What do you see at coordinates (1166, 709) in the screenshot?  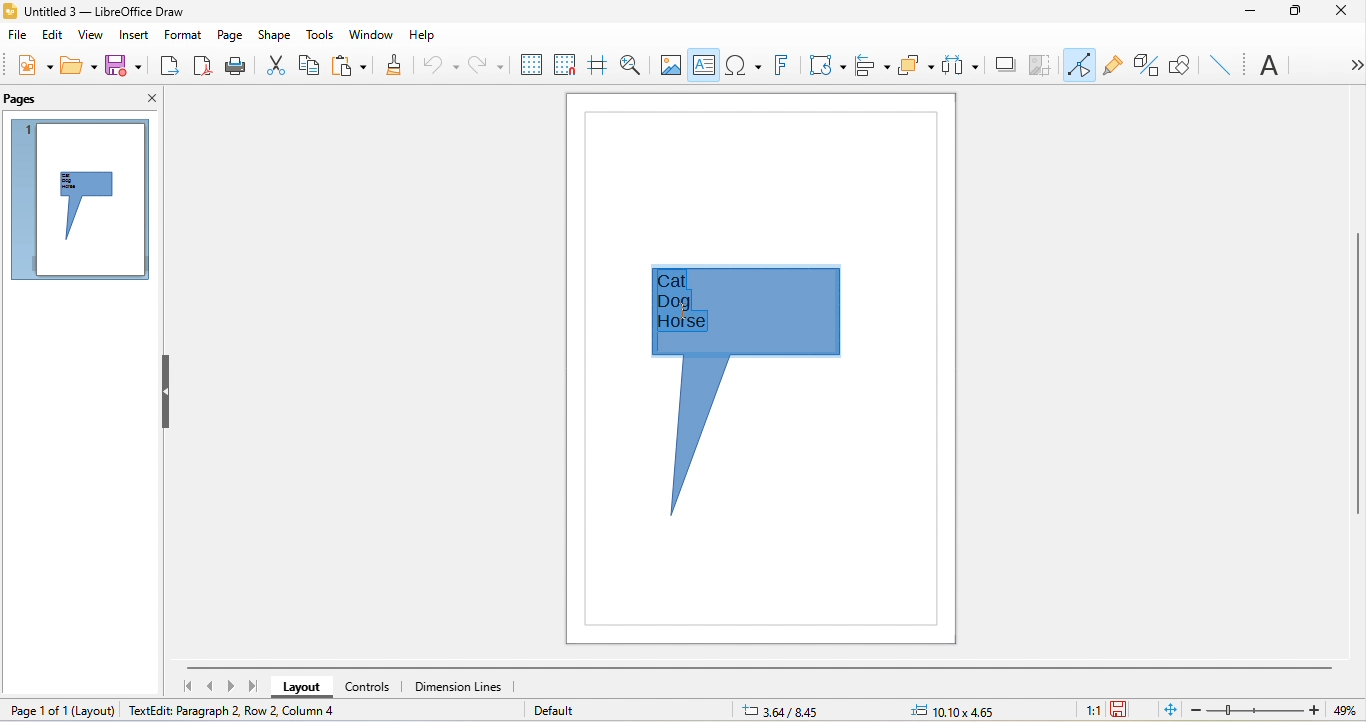 I see `fit to the current window` at bounding box center [1166, 709].